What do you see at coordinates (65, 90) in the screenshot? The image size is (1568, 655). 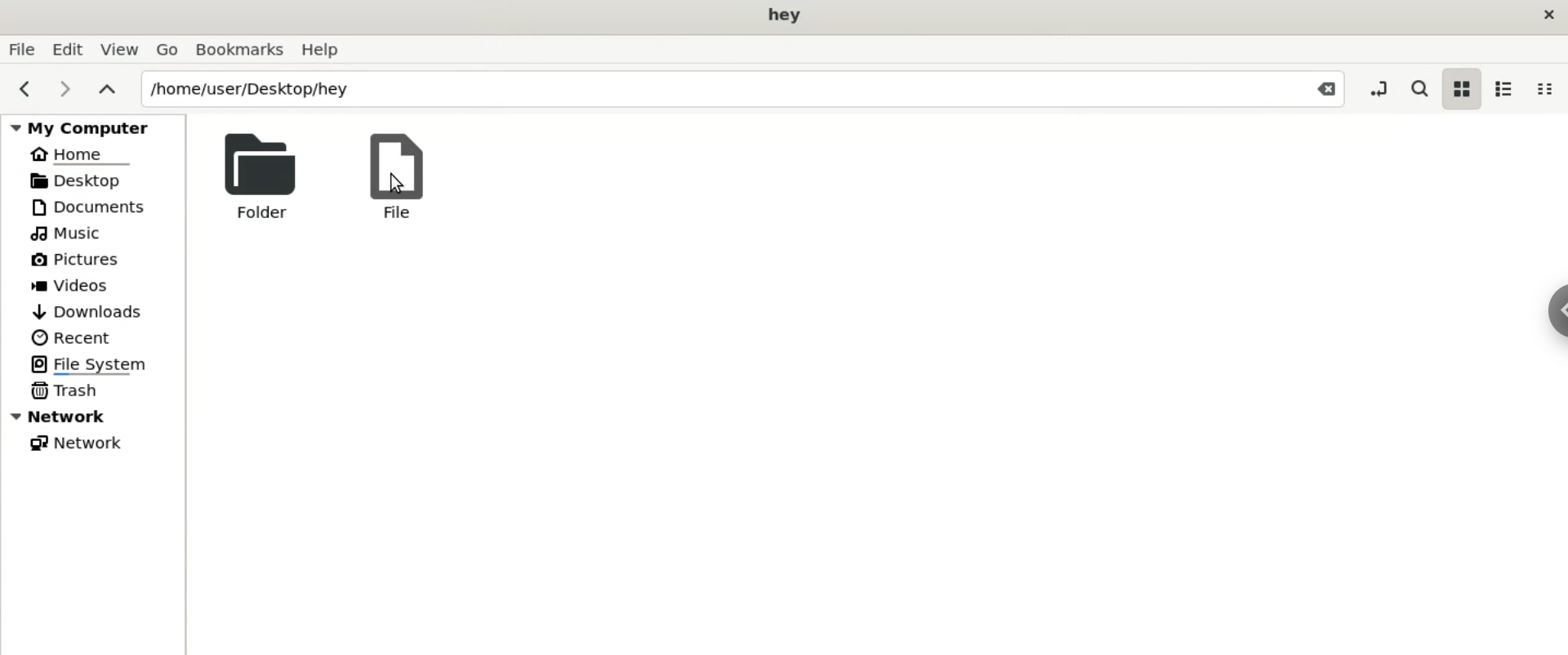 I see `next` at bounding box center [65, 90].